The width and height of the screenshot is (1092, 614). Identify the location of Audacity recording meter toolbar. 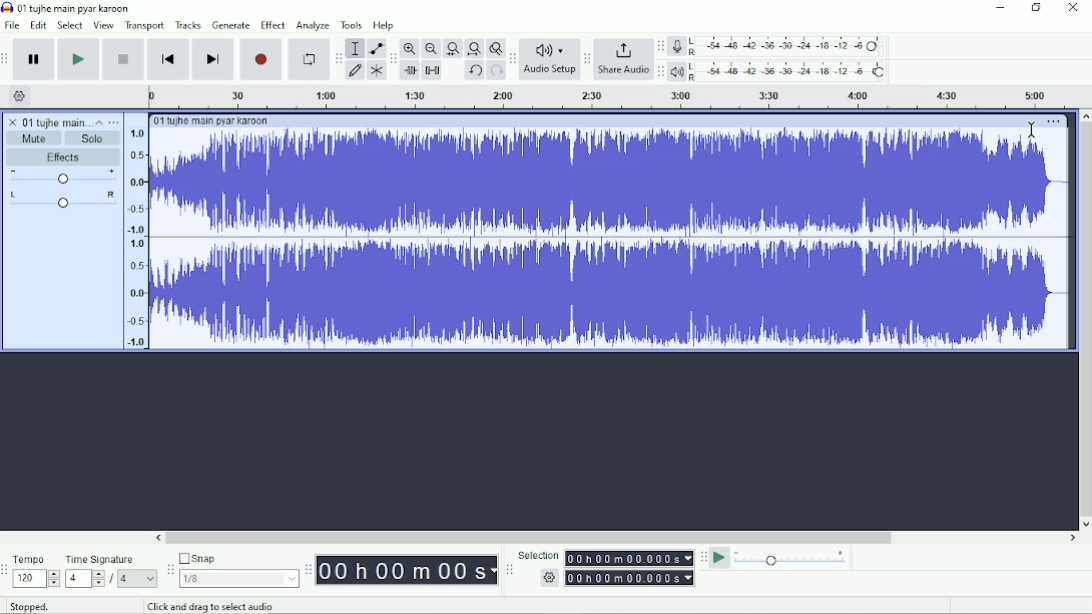
(661, 47).